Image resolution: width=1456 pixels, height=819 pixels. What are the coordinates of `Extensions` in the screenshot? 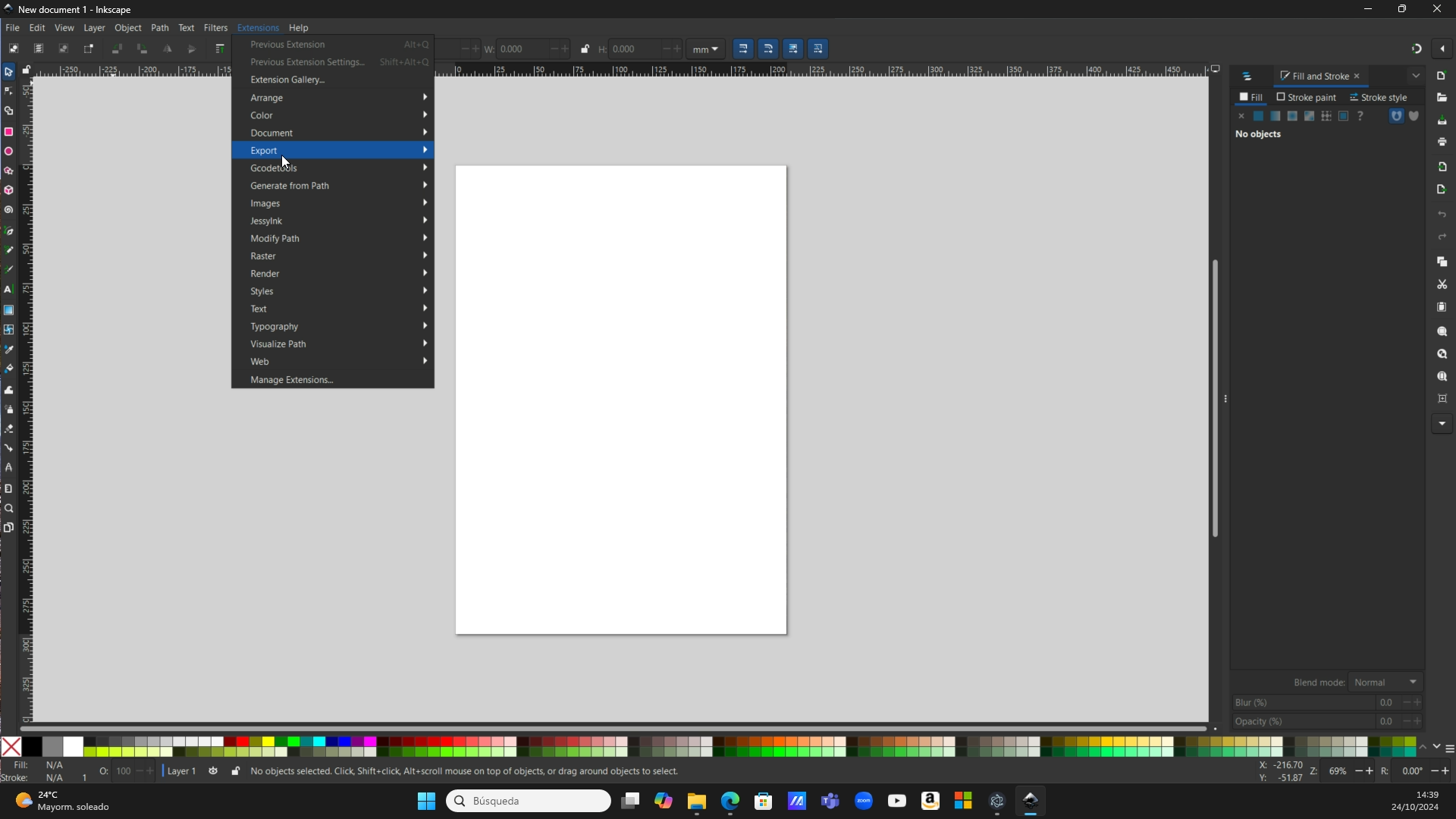 It's located at (256, 27).